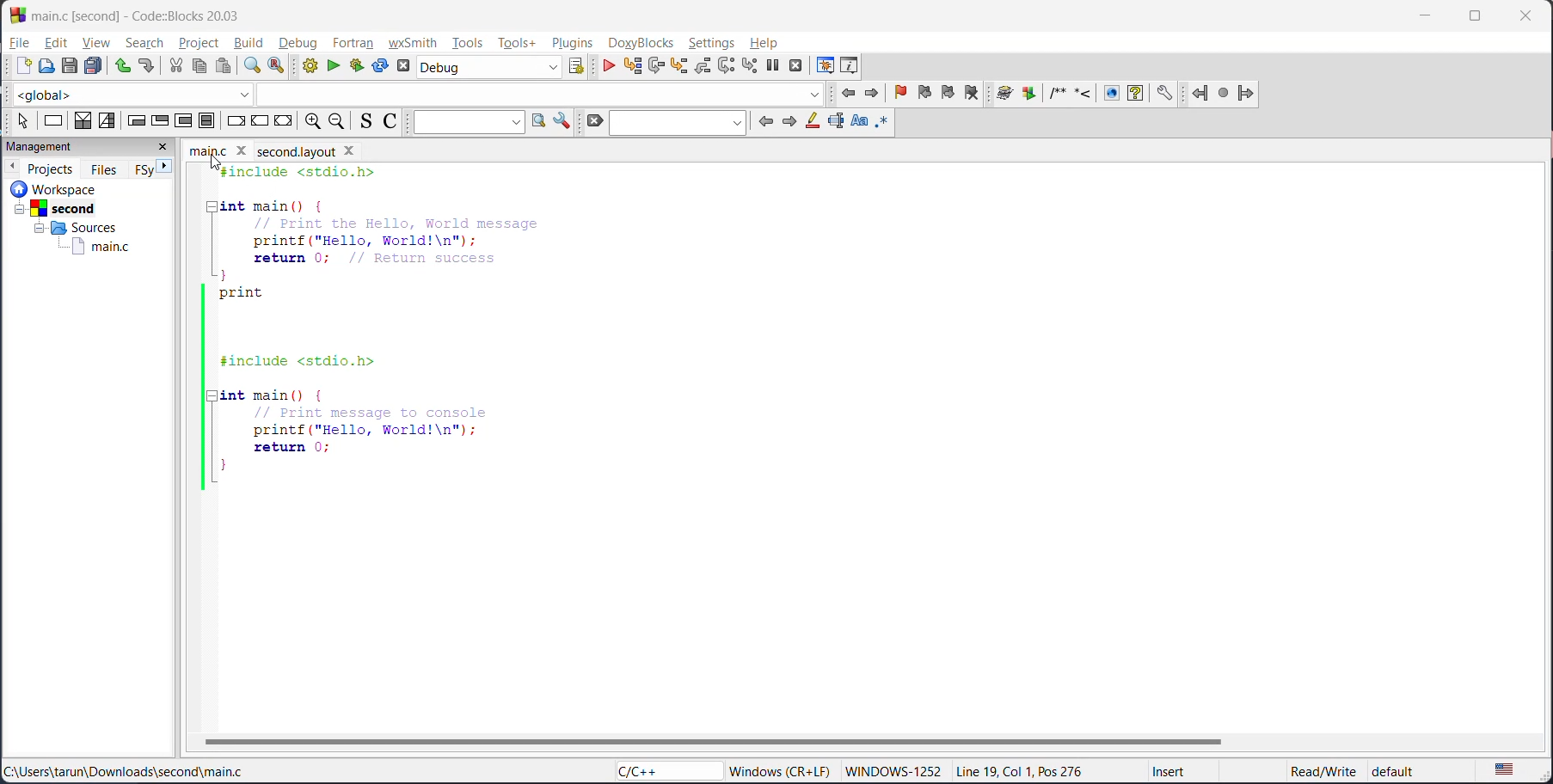  Describe the element at coordinates (1413, 768) in the screenshot. I see `default` at that location.